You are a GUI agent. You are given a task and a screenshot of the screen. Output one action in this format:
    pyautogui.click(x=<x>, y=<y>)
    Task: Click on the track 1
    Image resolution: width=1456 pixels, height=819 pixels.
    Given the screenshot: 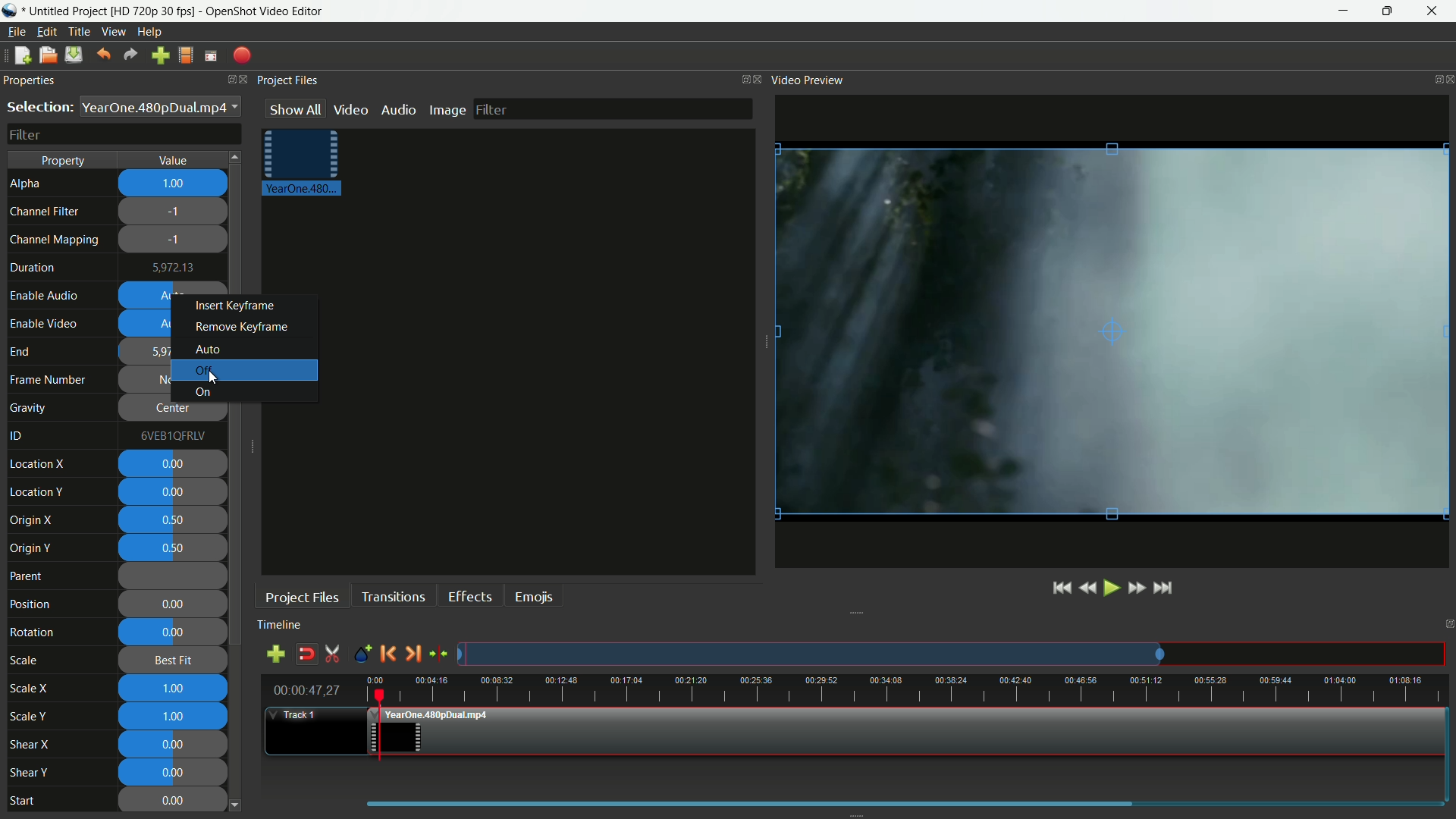 What is the action you would take?
    pyautogui.click(x=302, y=717)
    